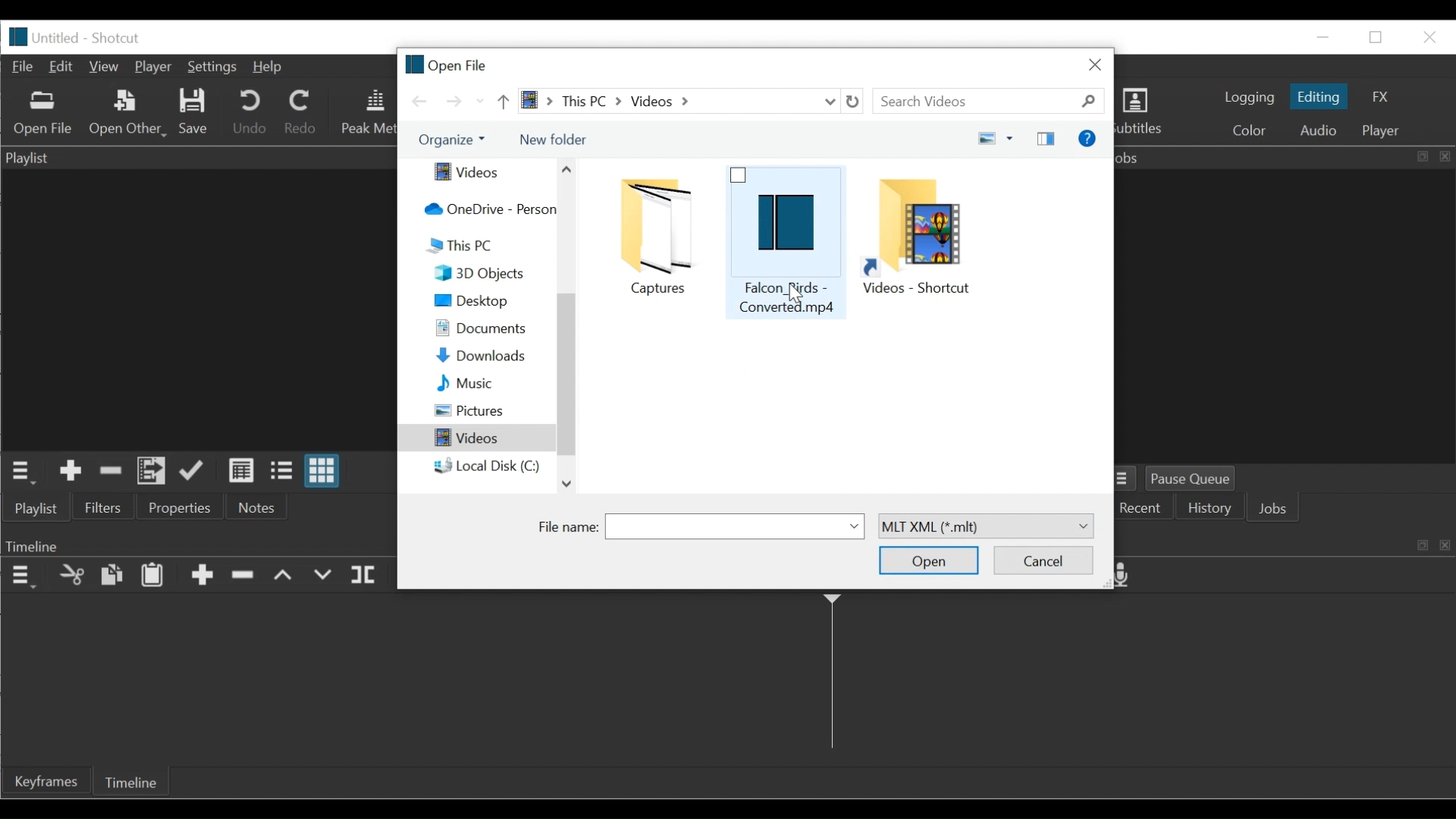  I want to click on Redo, so click(303, 111).